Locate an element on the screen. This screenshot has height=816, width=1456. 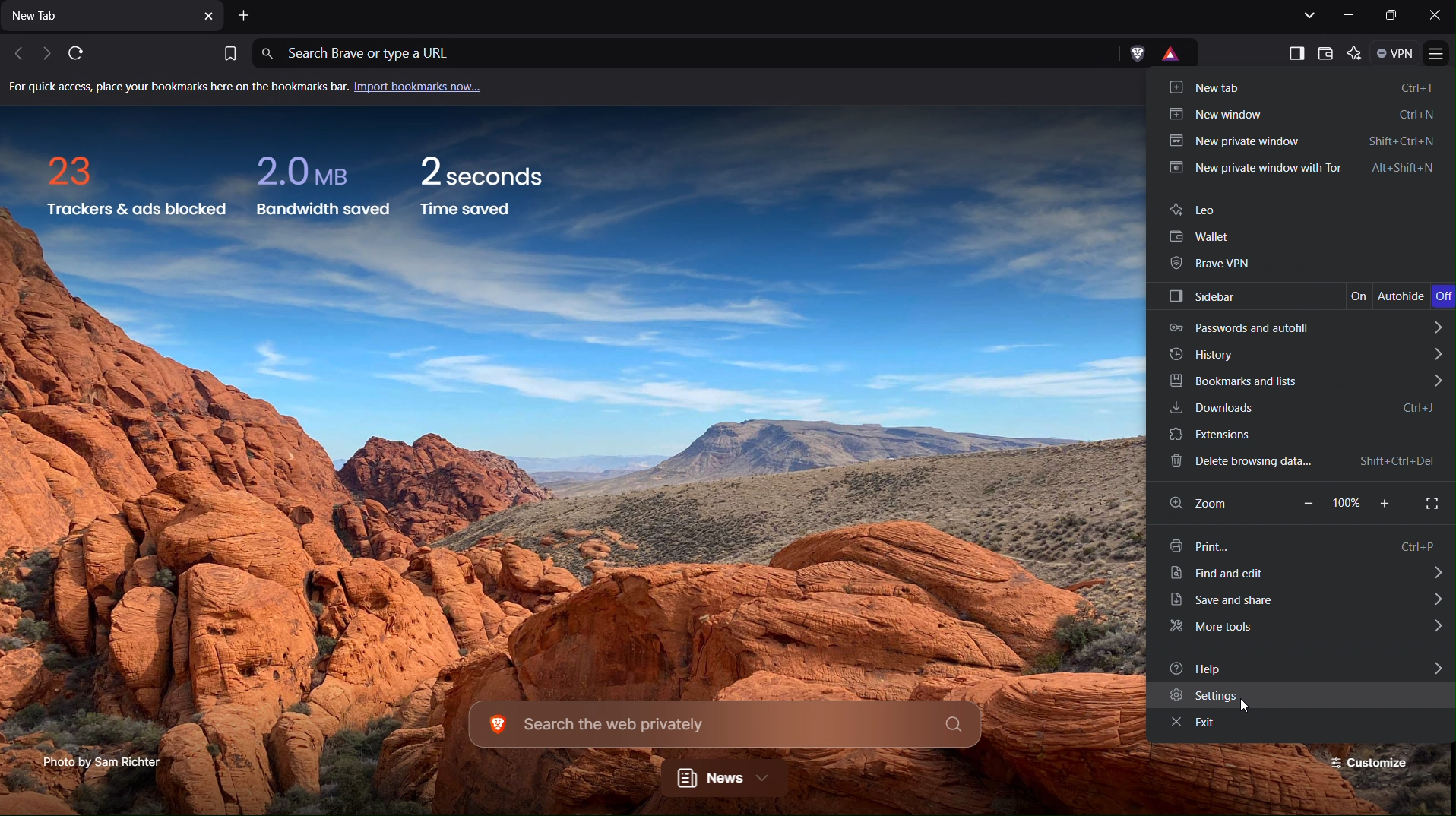
Zoom is located at coordinates (1303, 502).